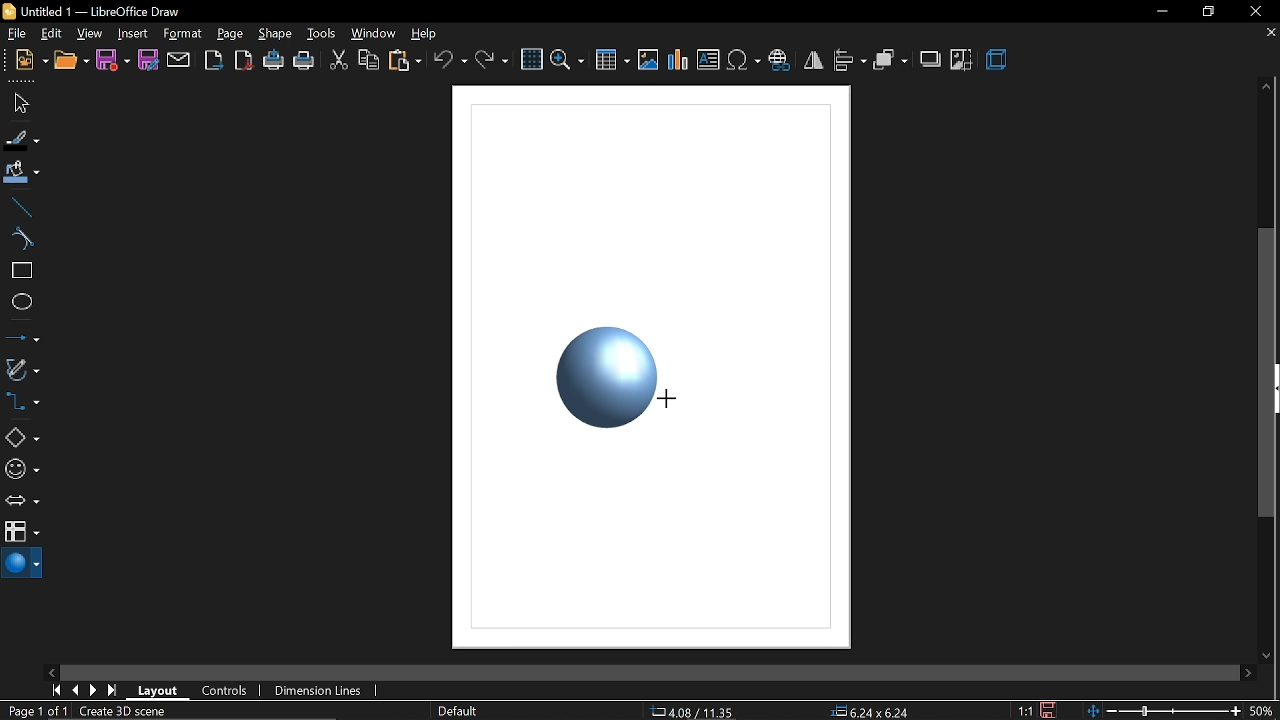  Describe the element at coordinates (930, 61) in the screenshot. I see `shadow` at that location.